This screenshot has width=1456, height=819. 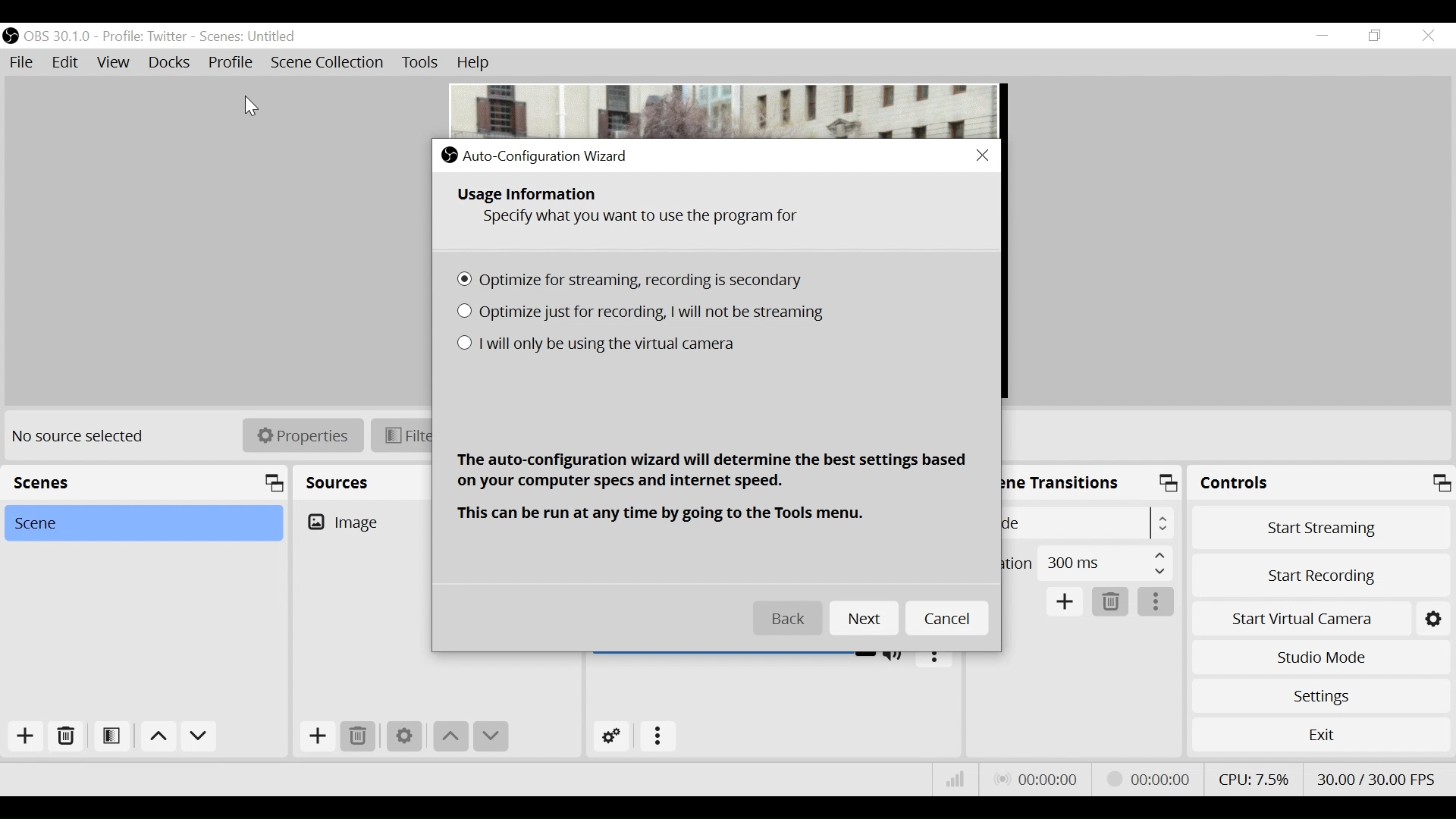 What do you see at coordinates (1321, 526) in the screenshot?
I see `Start Streaming` at bounding box center [1321, 526].